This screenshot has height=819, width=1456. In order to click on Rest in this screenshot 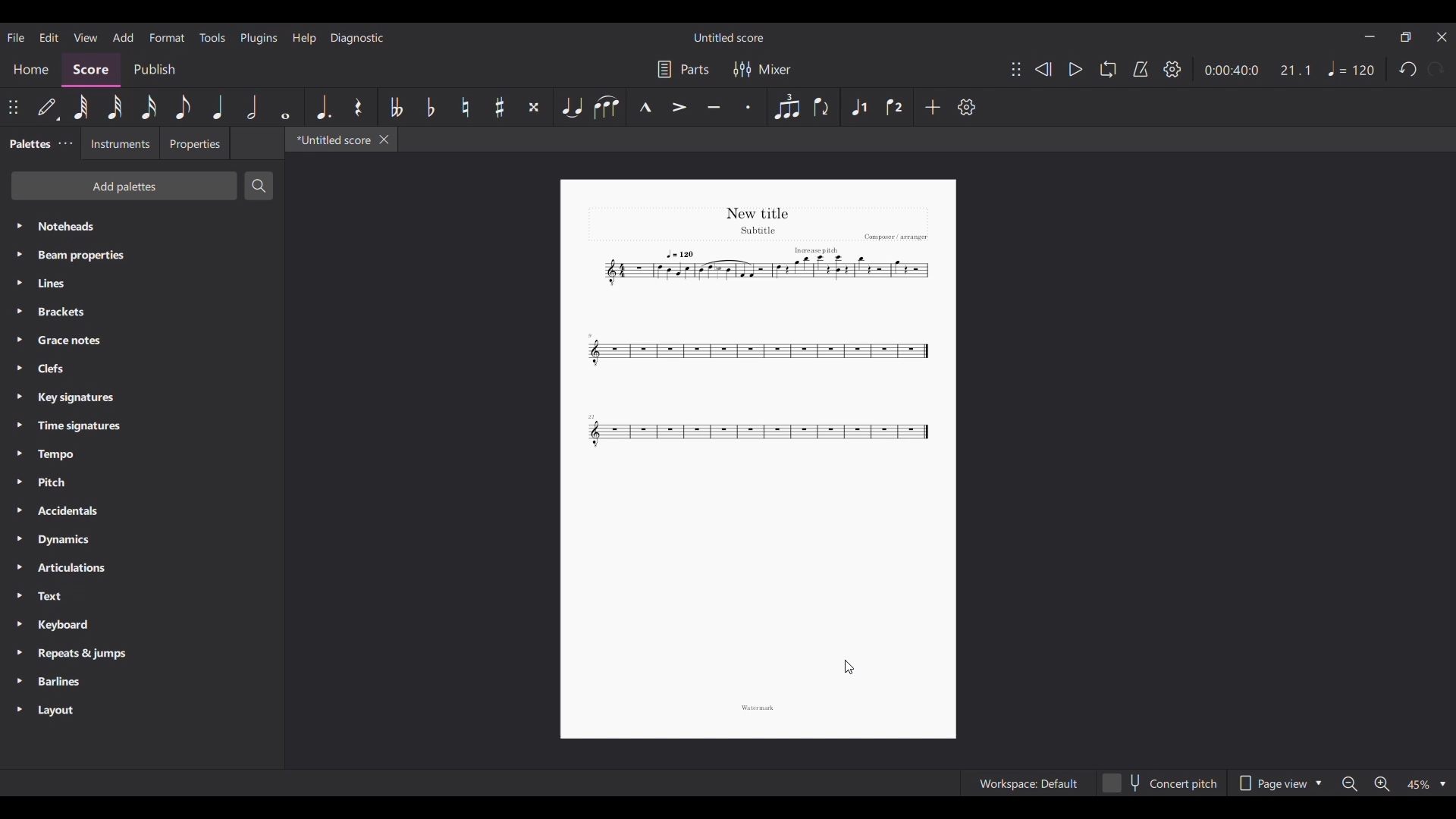, I will do `click(359, 107)`.